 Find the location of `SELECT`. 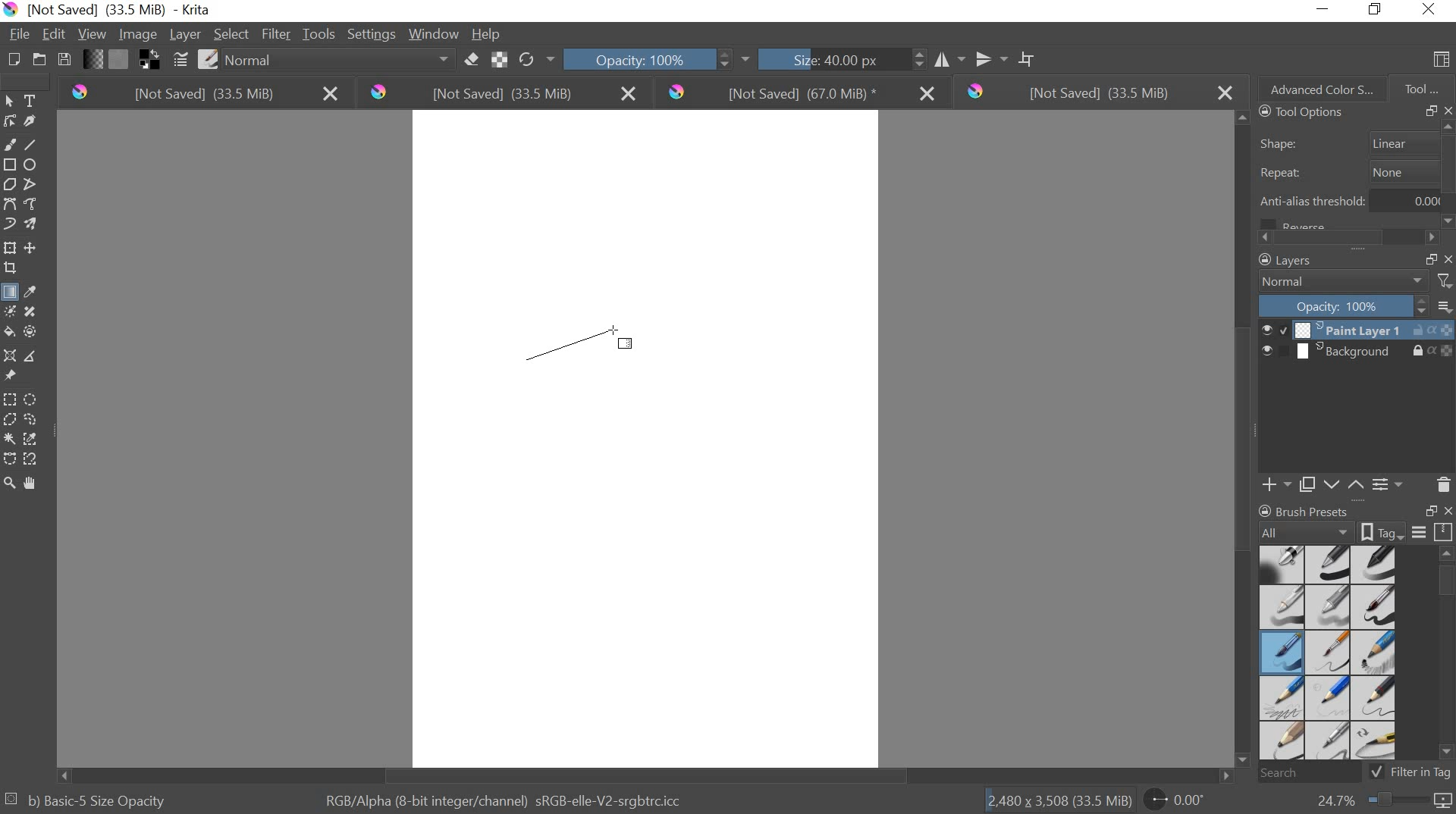

SELECT is located at coordinates (231, 34).